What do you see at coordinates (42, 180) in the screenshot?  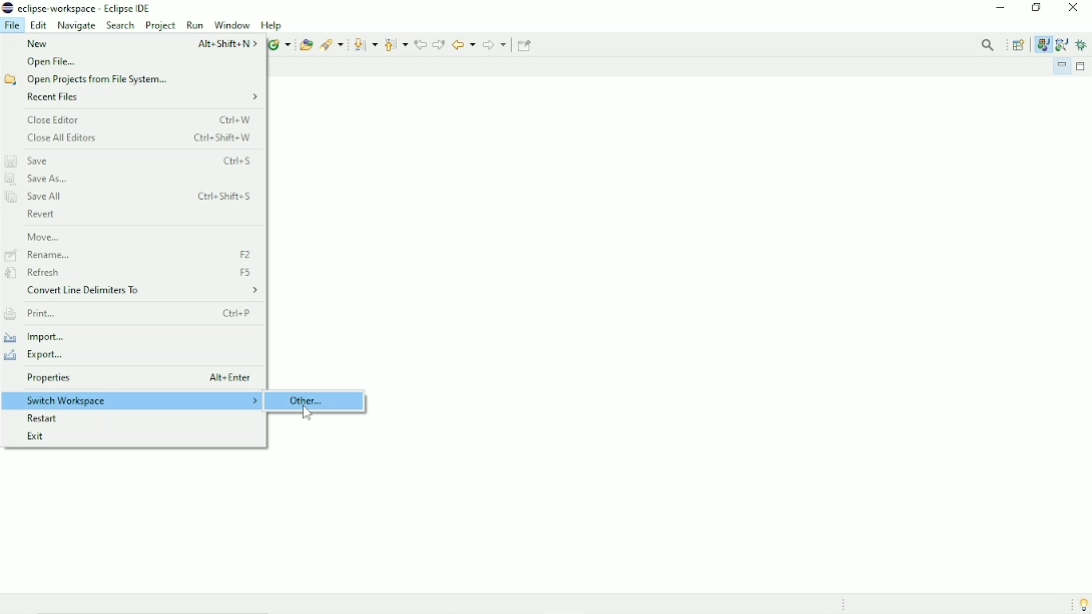 I see `Save as` at bounding box center [42, 180].